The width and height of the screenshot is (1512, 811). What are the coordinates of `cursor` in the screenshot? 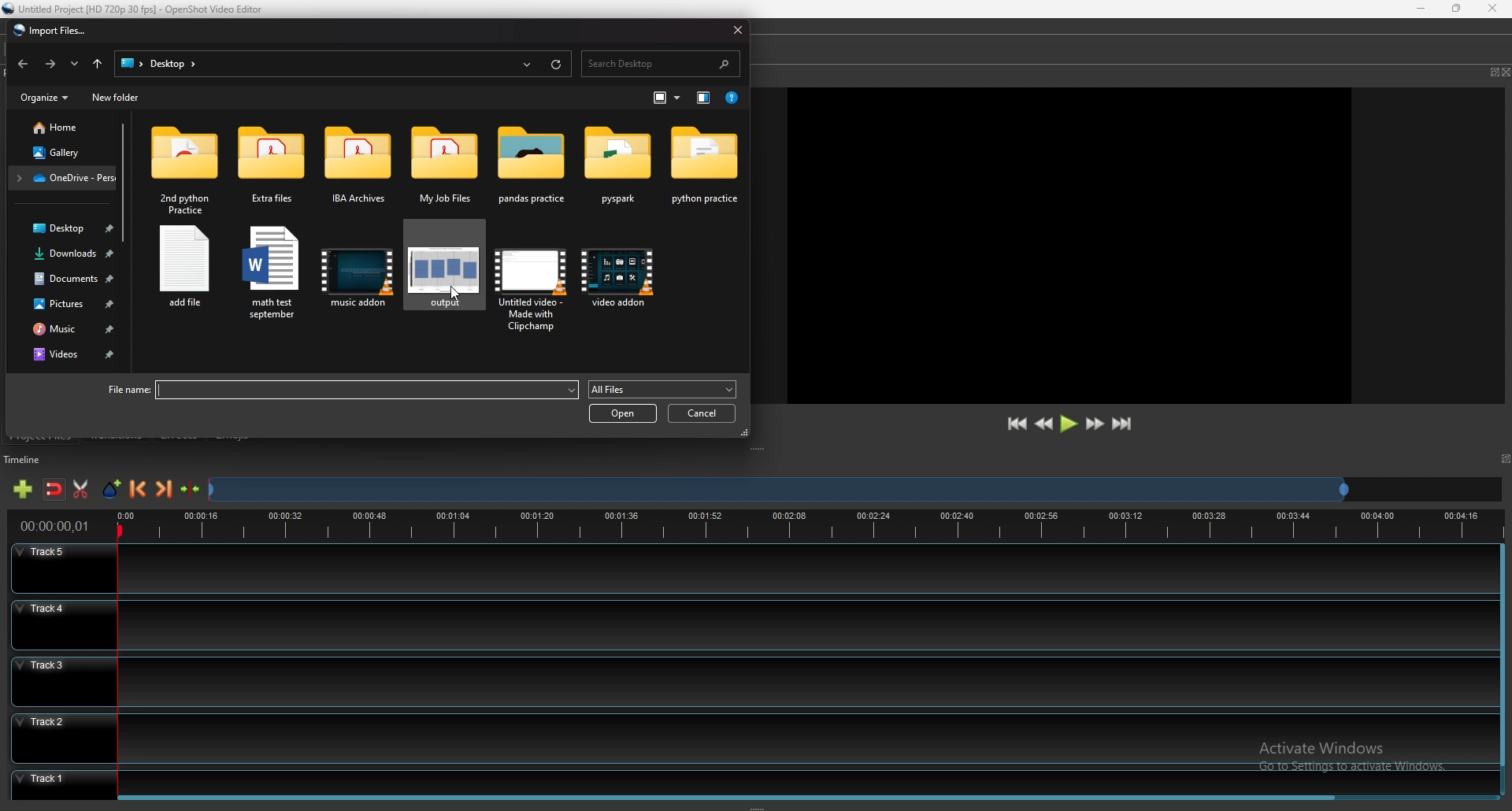 It's located at (458, 291).